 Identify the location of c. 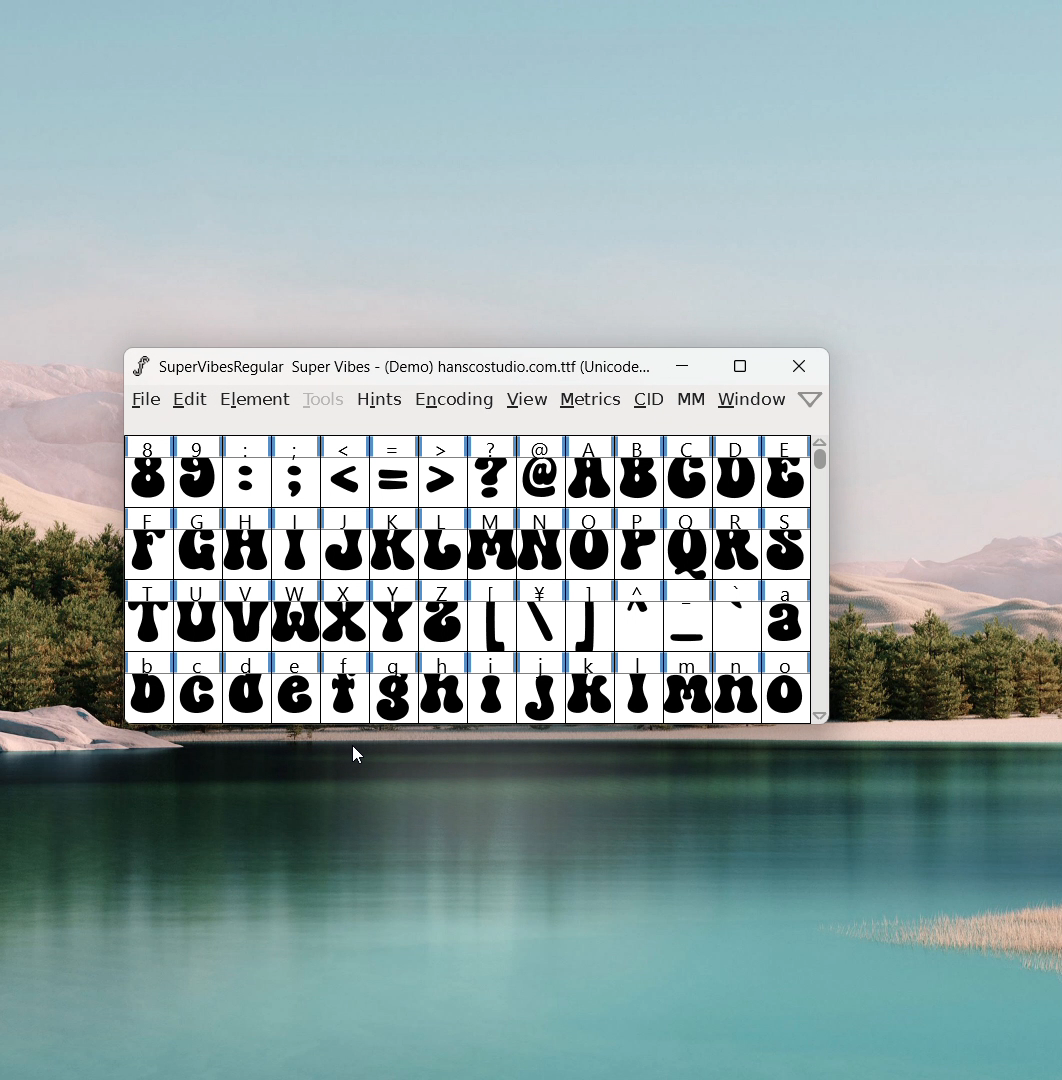
(198, 687).